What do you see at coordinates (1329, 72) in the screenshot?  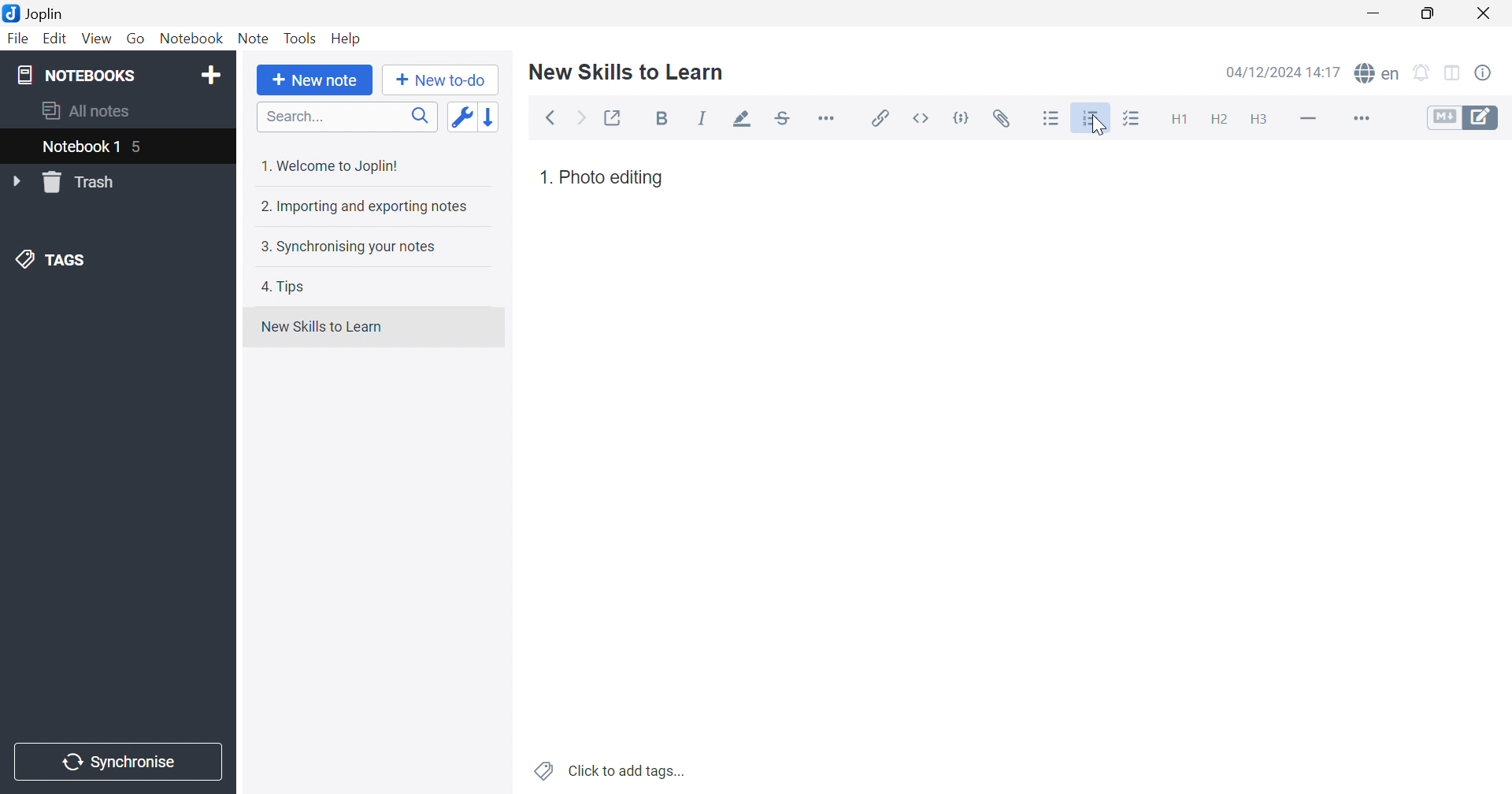 I see `14:15` at bounding box center [1329, 72].